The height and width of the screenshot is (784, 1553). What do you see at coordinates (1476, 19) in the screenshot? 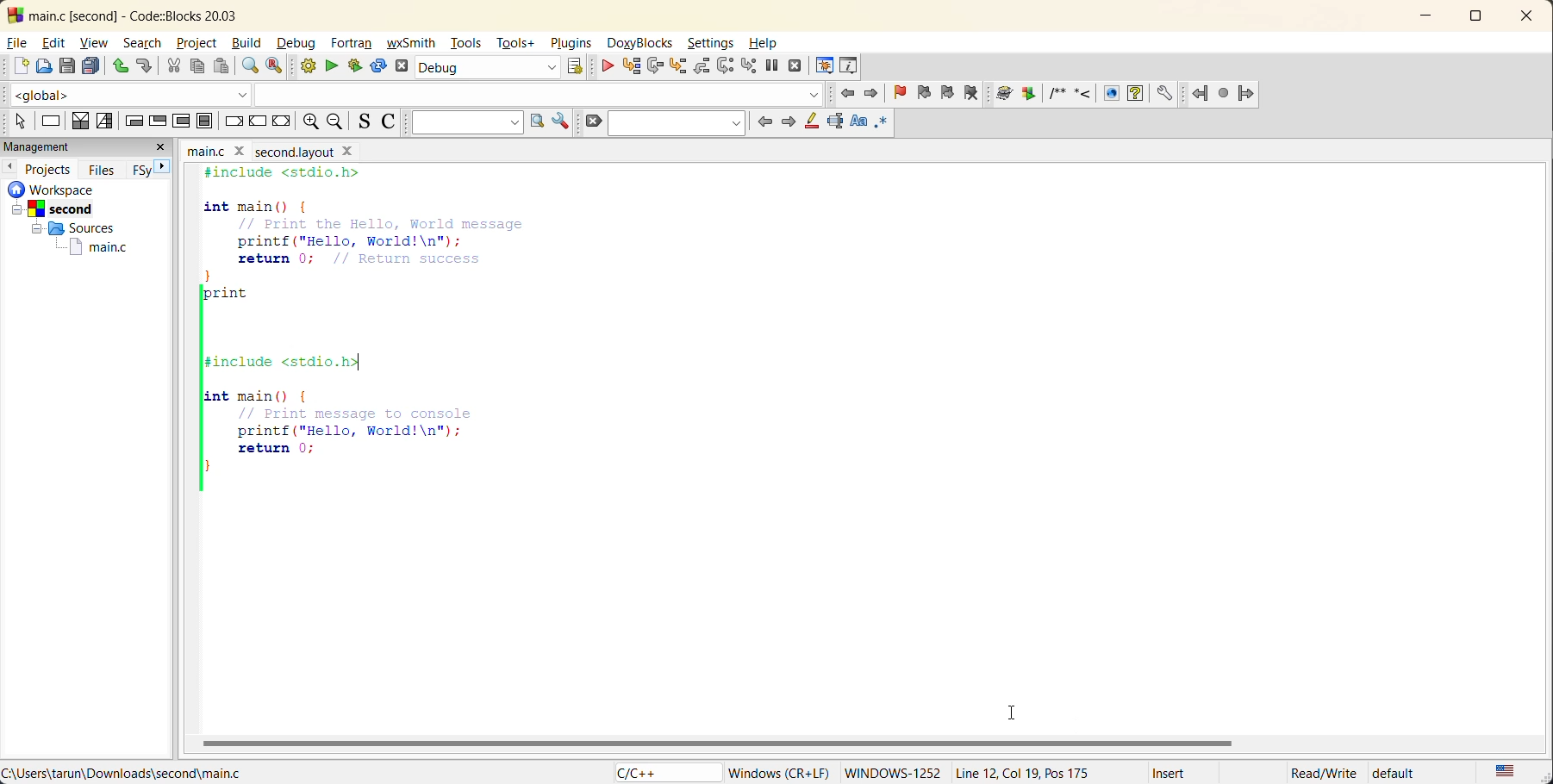
I see `maximize` at bounding box center [1476, 19].